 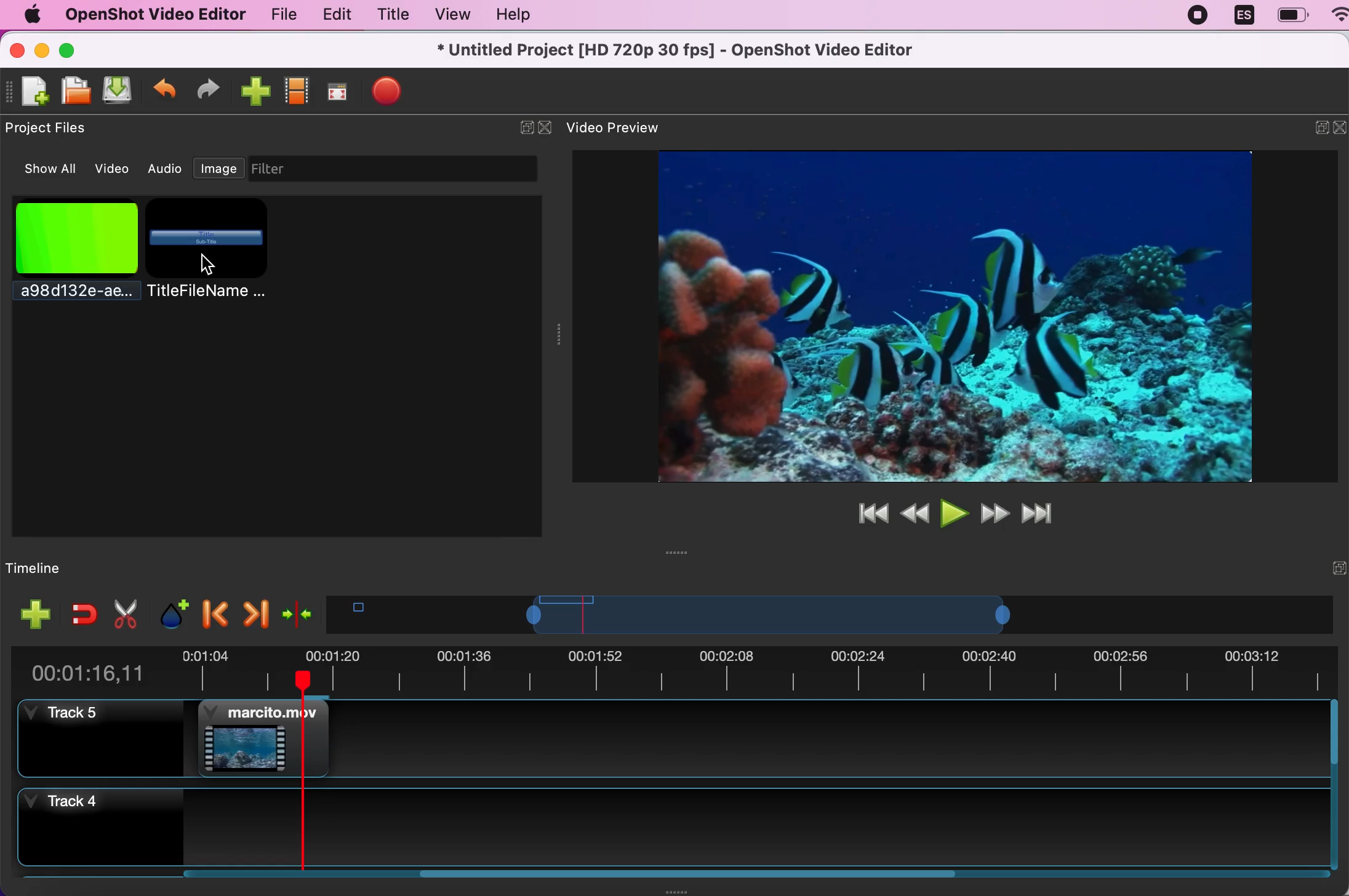 What do you see at coordinates (452, 14) in the screenshot?
I see `view` at bounding box center [452, 14].